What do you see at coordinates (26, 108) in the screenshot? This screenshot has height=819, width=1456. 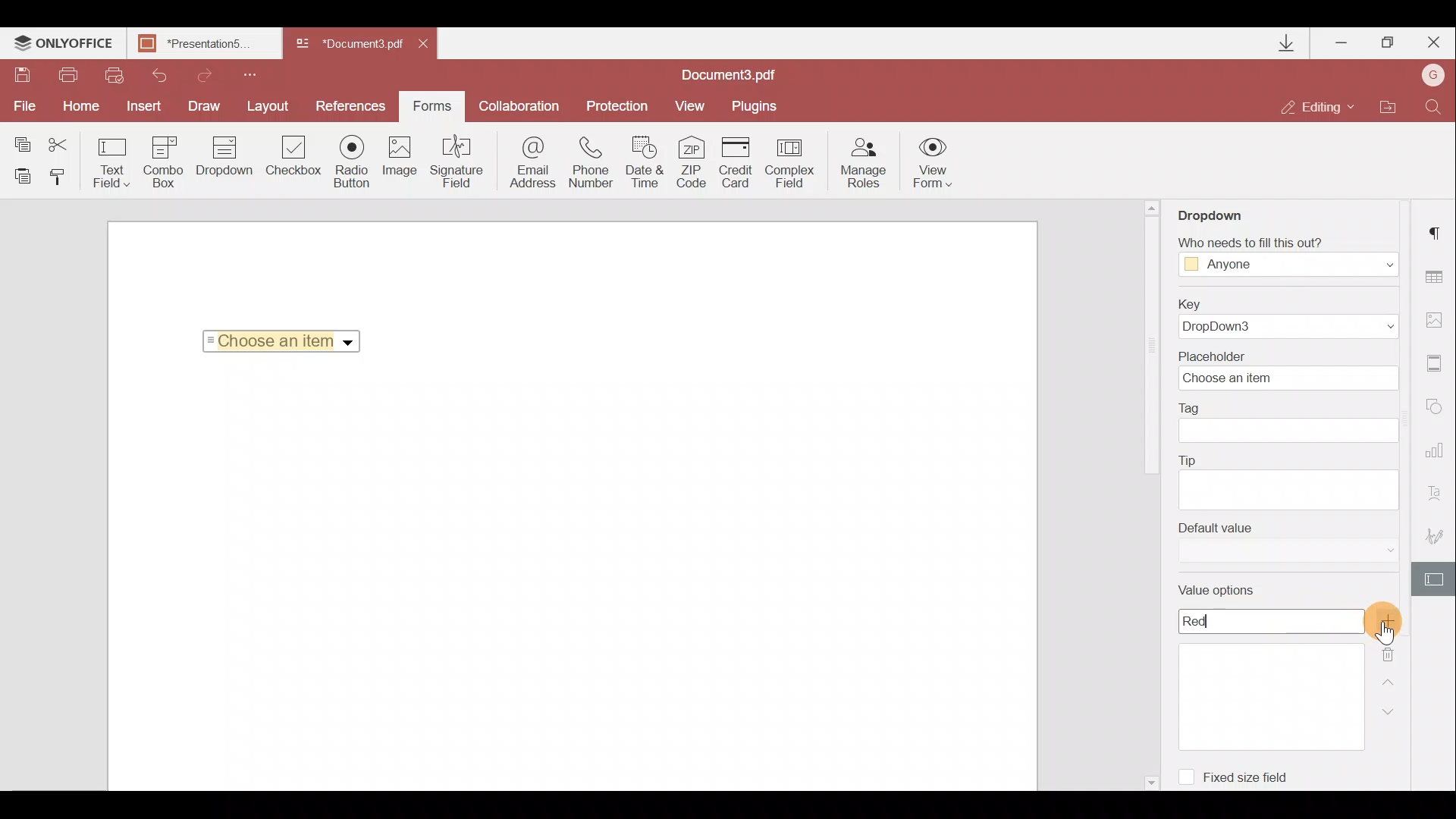 I see `File` at bounding box center [26, 108].